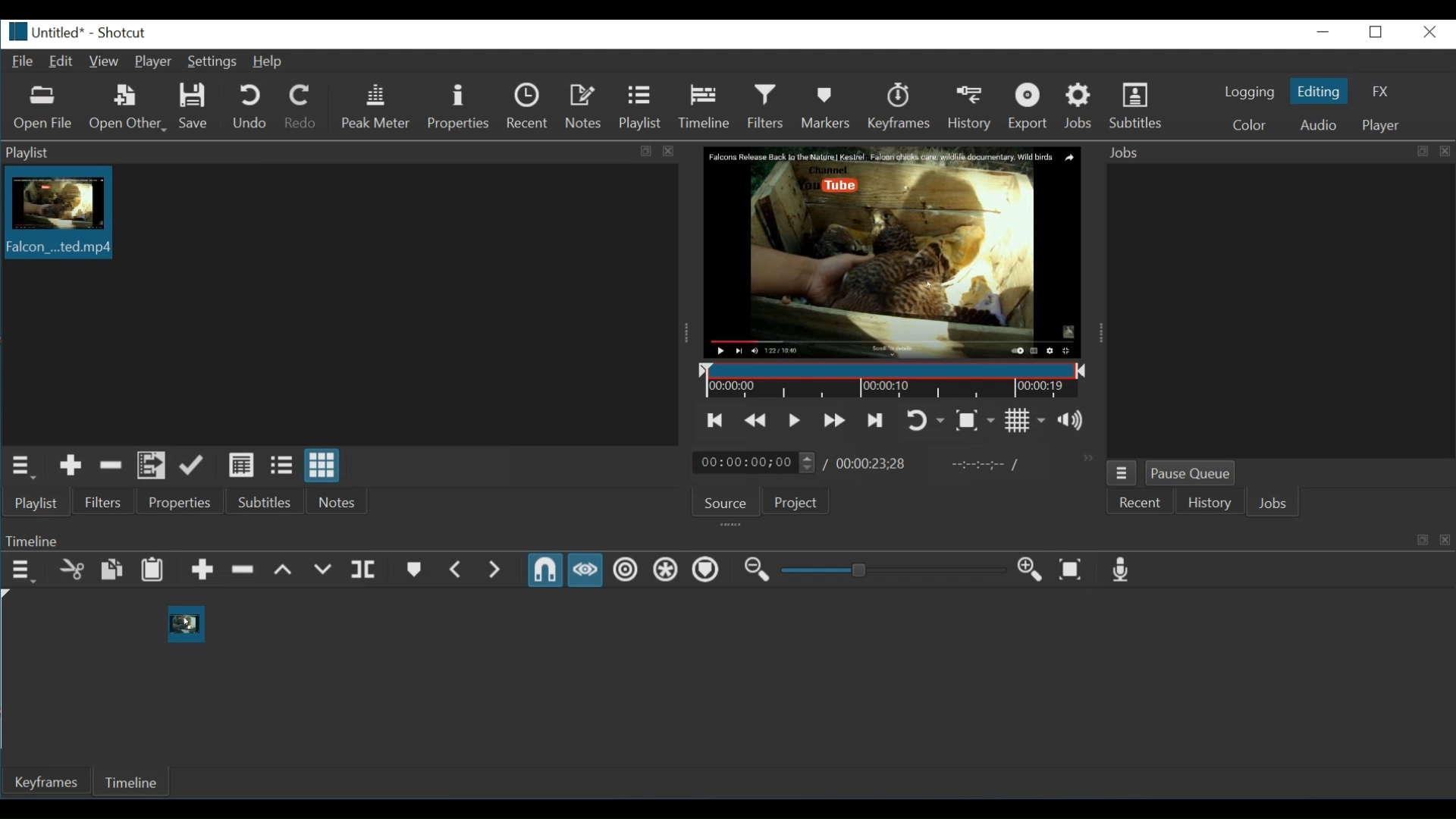 This screenshot has height=819, width=1456. I want to click on Open Other, so click(129, 108).